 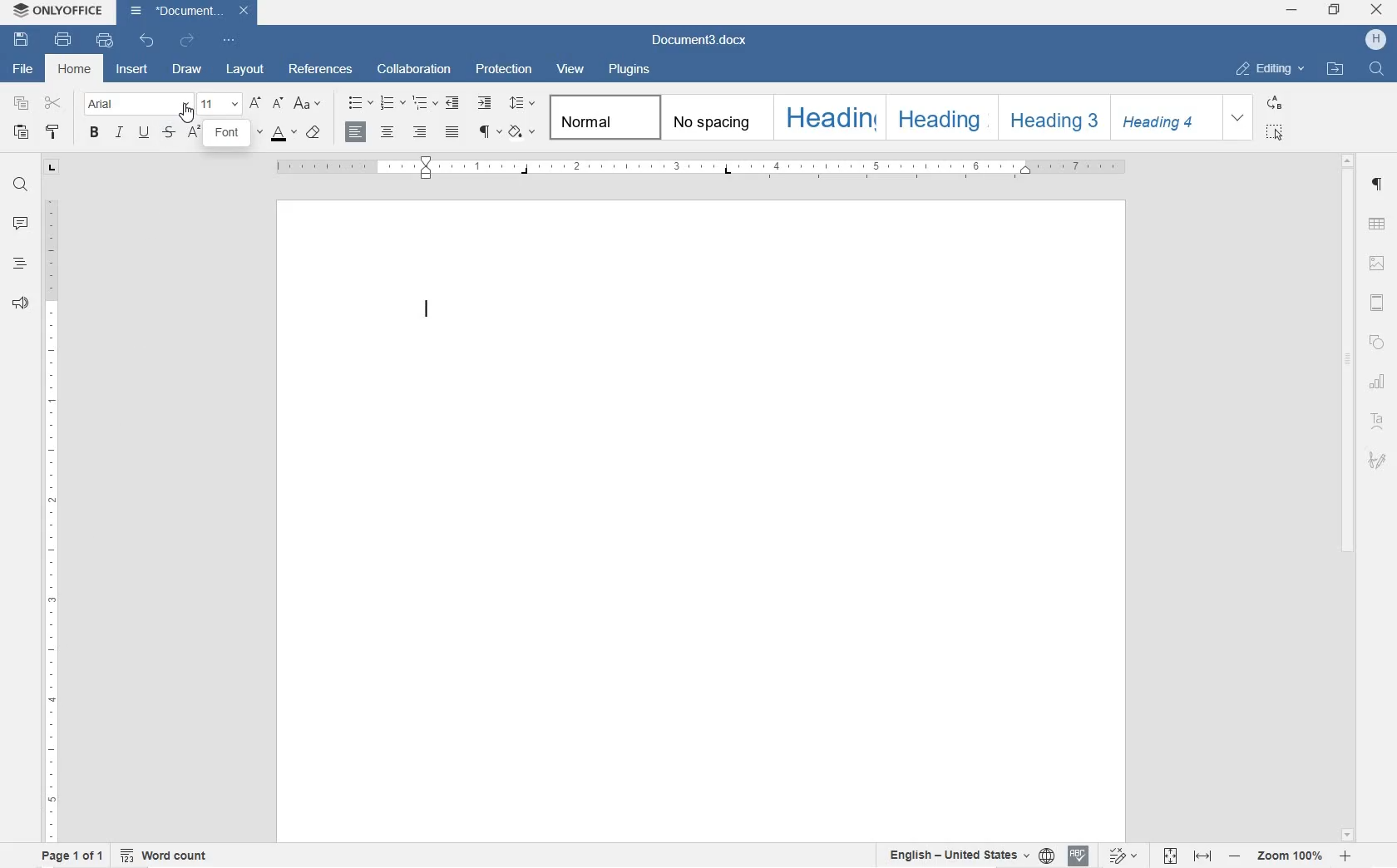 What do you see at coordinates (1336, 8) in the screenshot?
I see `restore` at bounding box center [1336, 8].